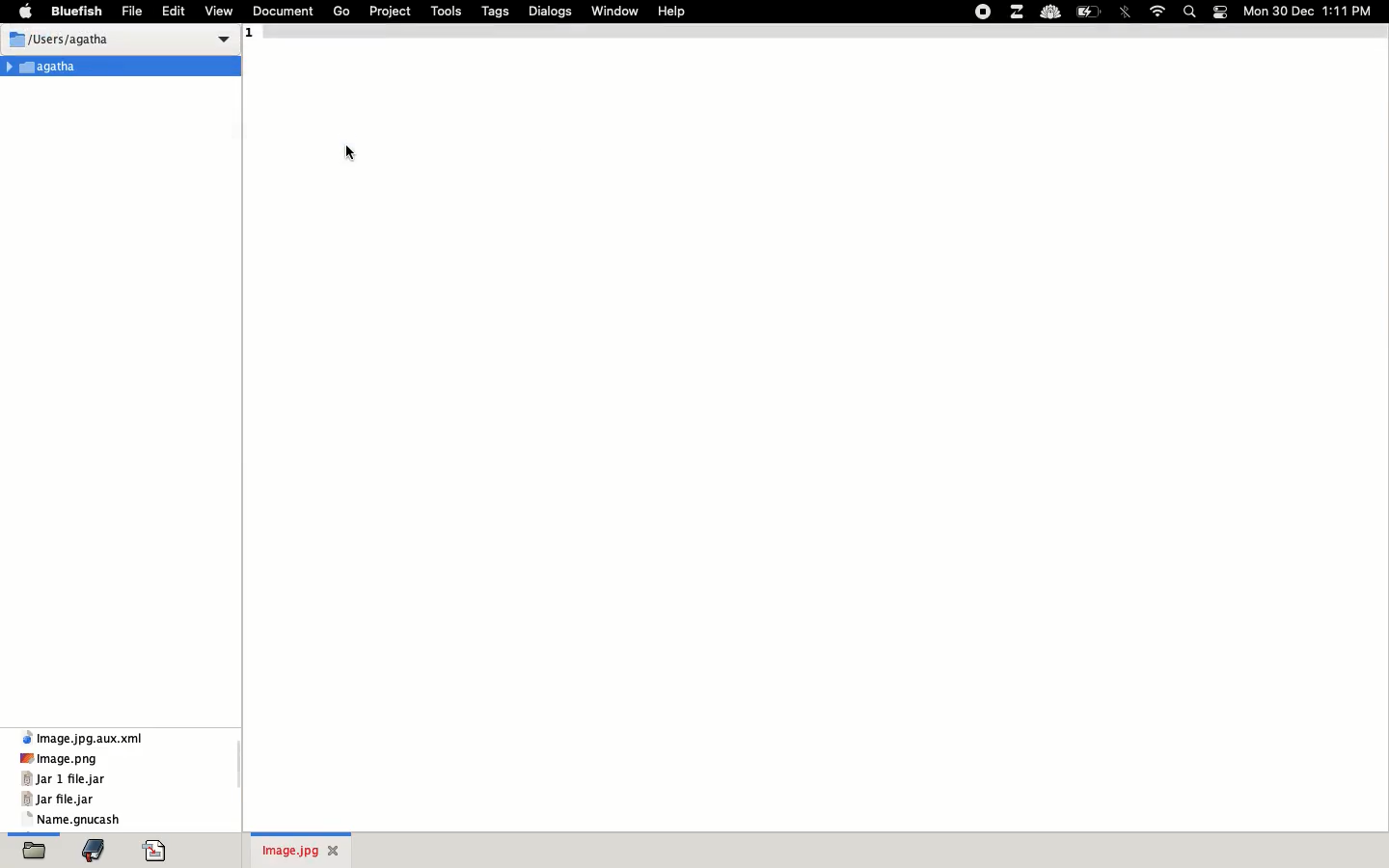 Image resolution: width=1389 pixels, height=868 pixels. I want to click on image.png, so click(60, 758).